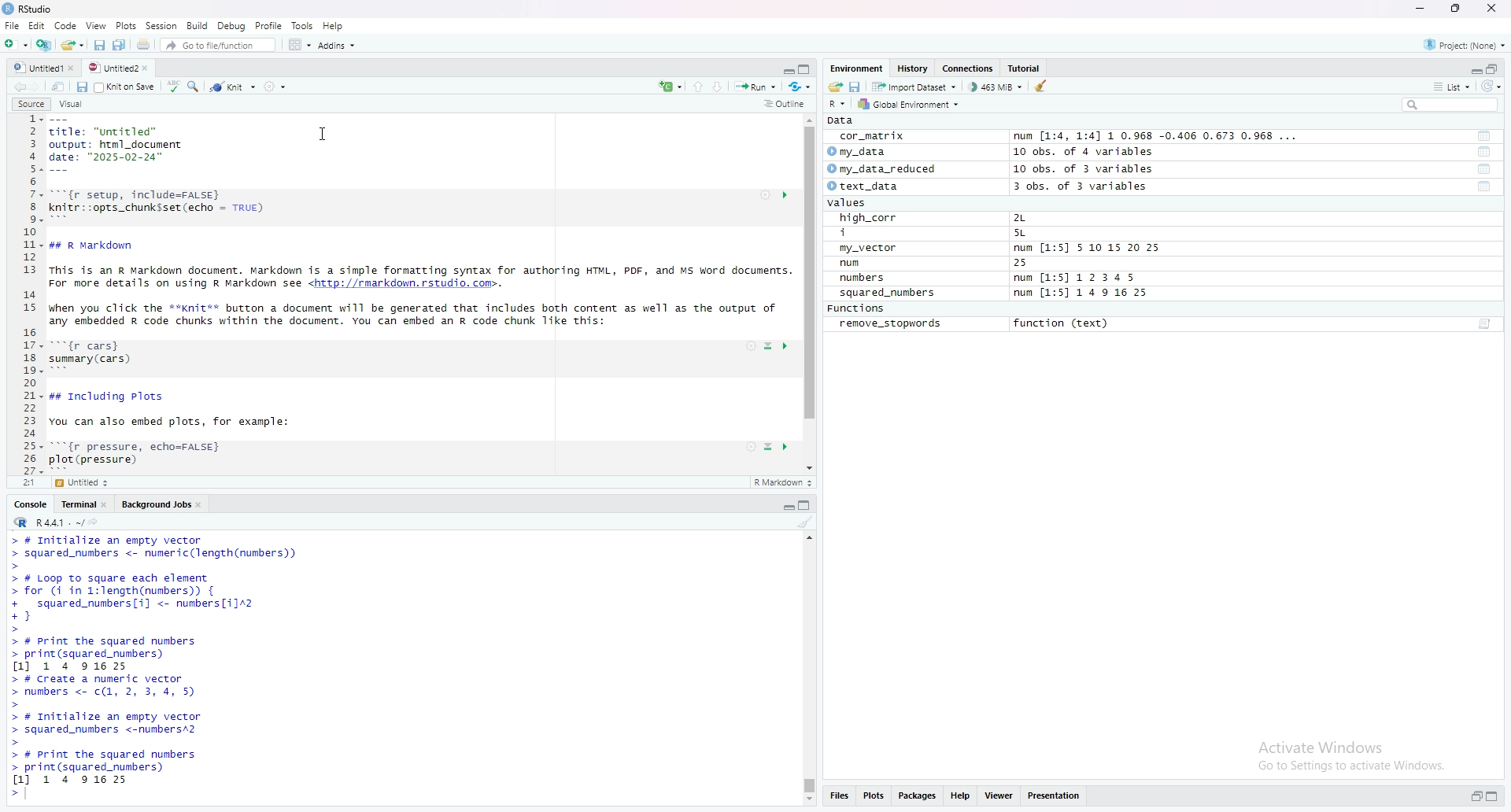 This screenshot has height=812, width=1511. Describe the element at coordinates (299, 43) in the screenshot. I see `work space panes` at that location.